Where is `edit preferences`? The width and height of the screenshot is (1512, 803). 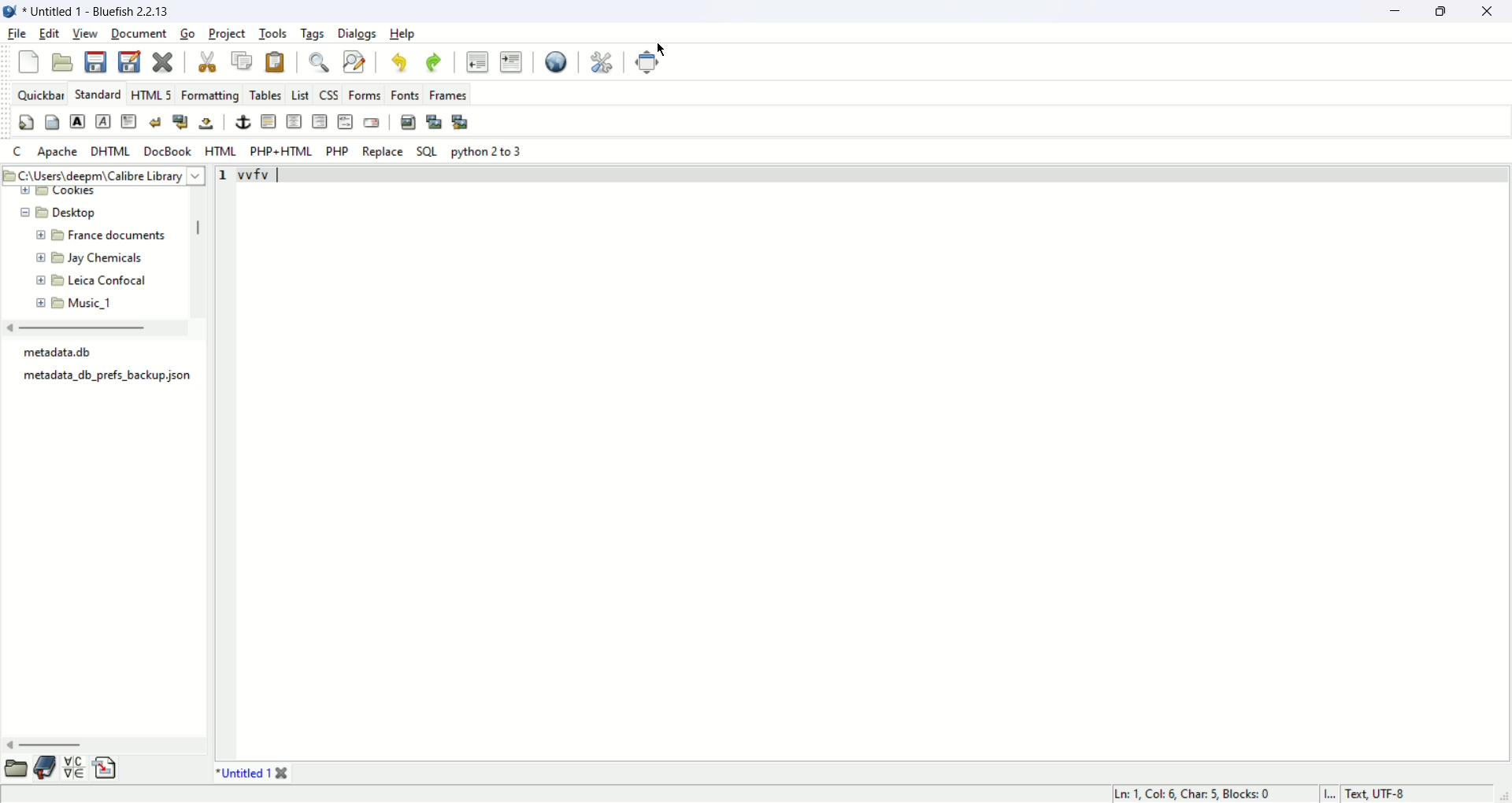
edit preferences is located at coordinates (601, 61).